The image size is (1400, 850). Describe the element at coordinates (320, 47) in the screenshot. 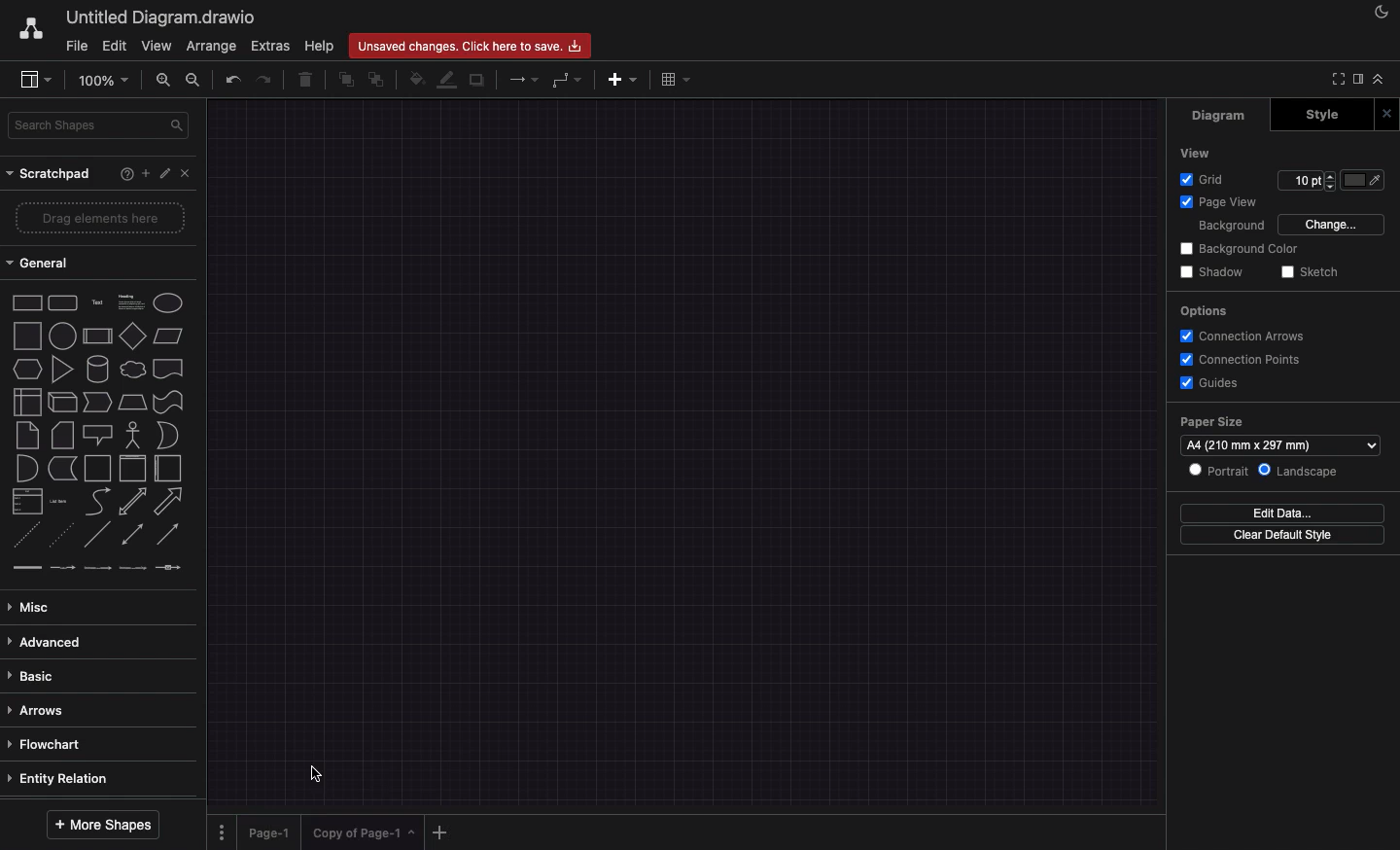

I see `help` at that location.